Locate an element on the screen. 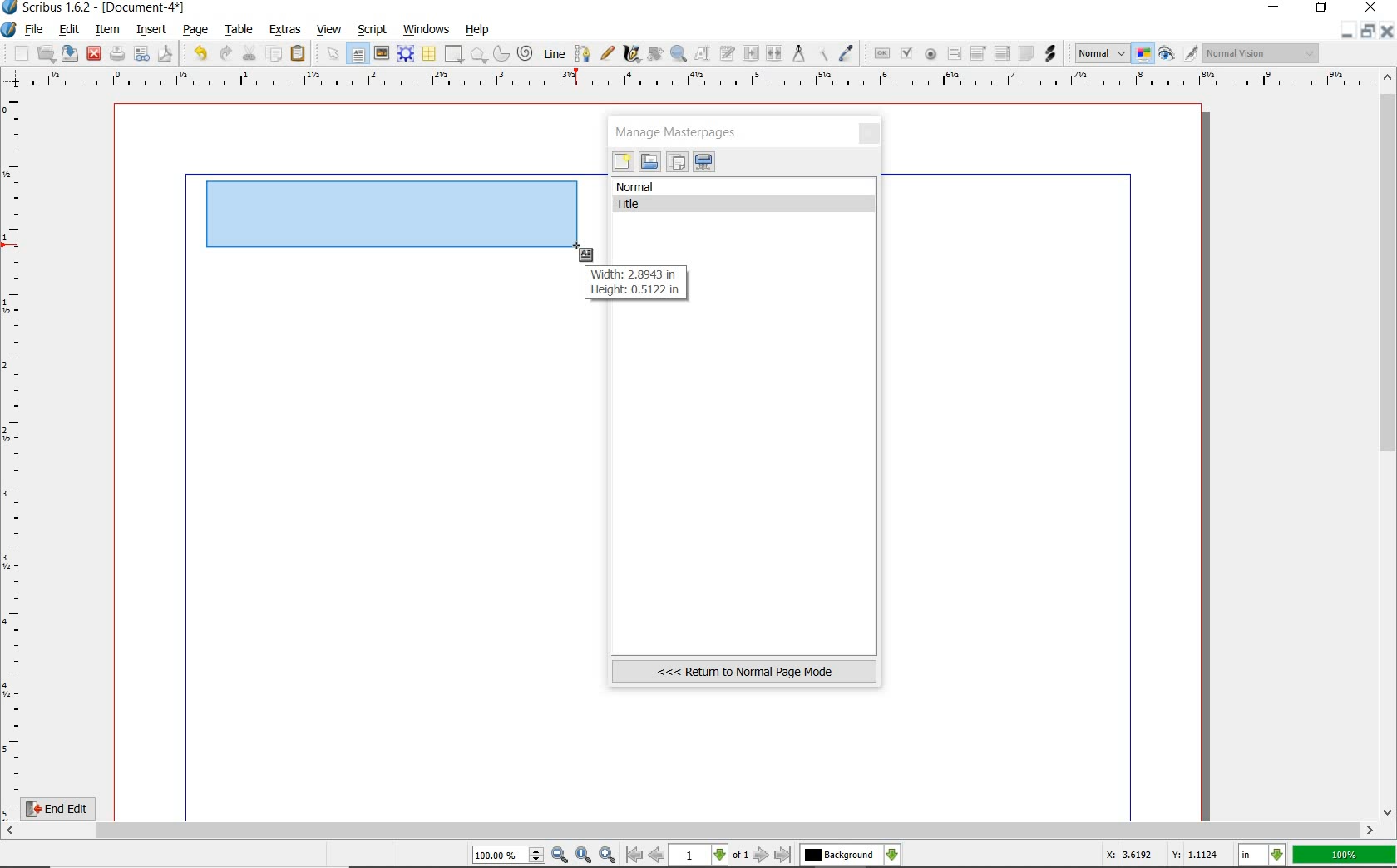 This screenshot has width=1397, height=868. 100.00% is located at coordinates (510, 856).